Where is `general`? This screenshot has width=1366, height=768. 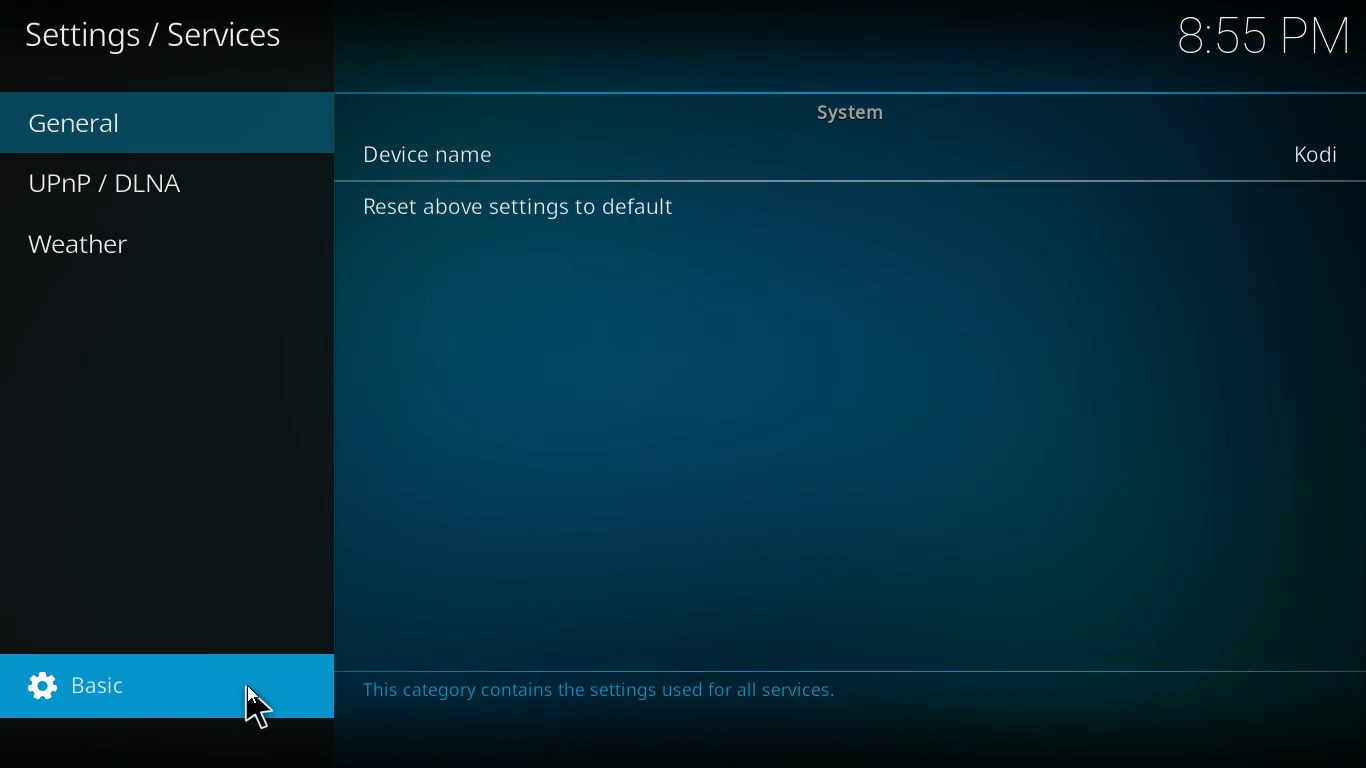
general is located at coordinates (91, 121).